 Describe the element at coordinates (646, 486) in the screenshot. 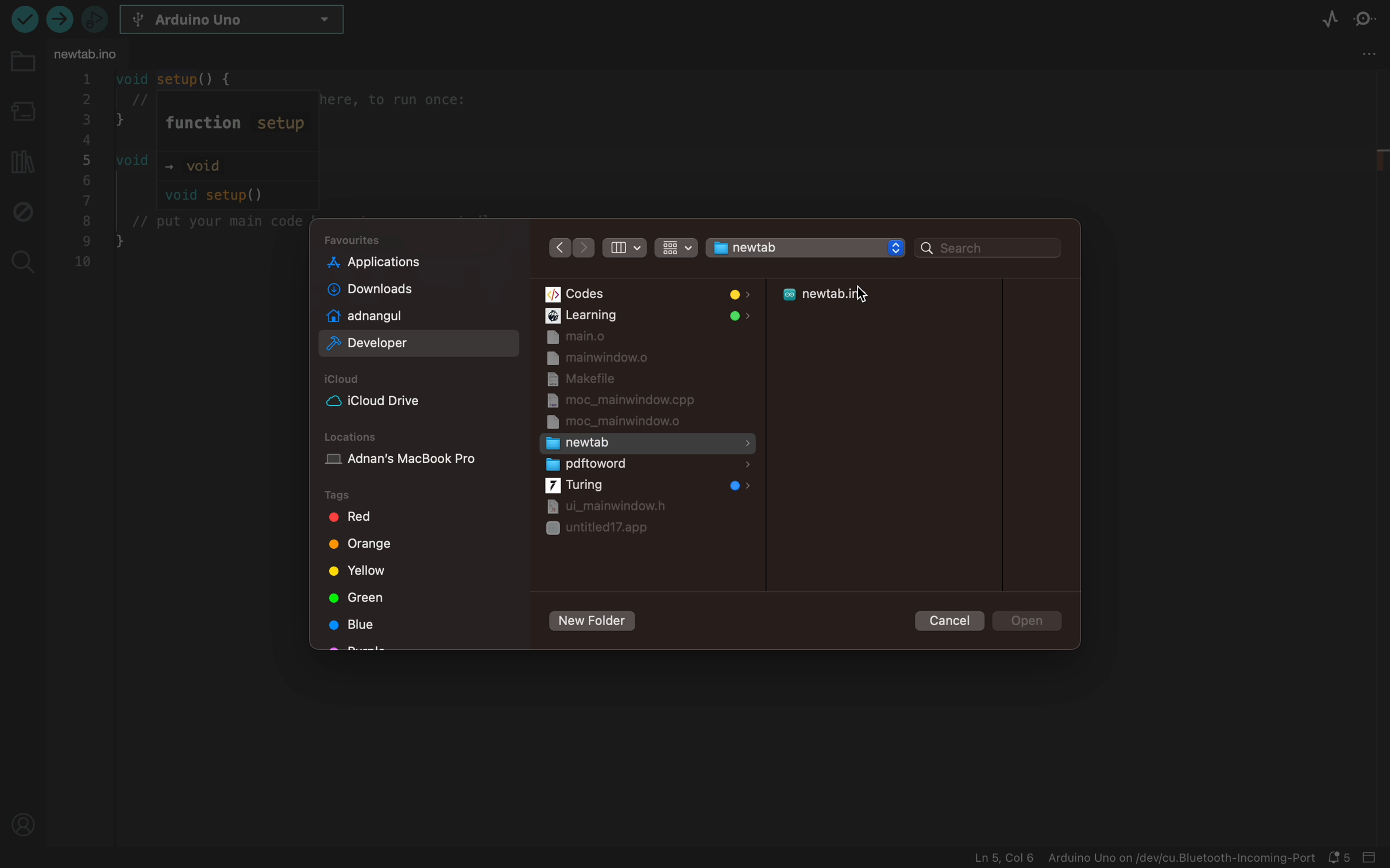

I see `turing` at that location.